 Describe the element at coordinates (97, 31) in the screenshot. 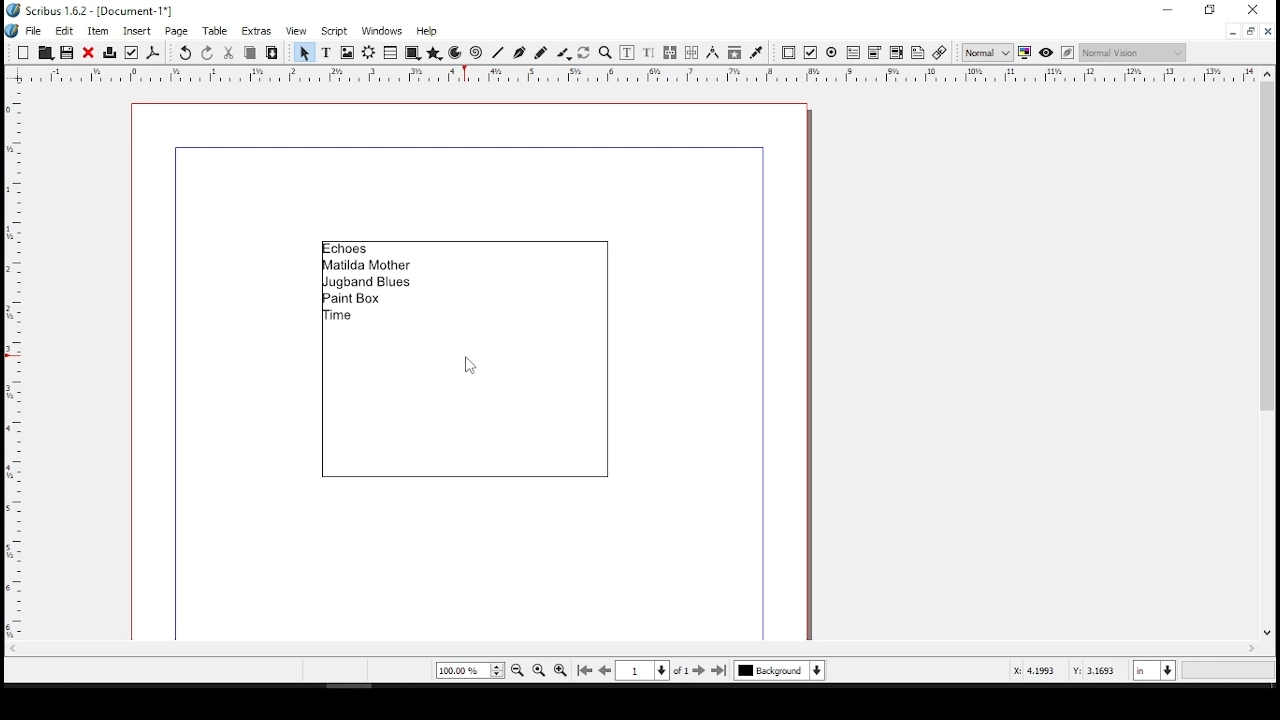

I see `item` at that location.